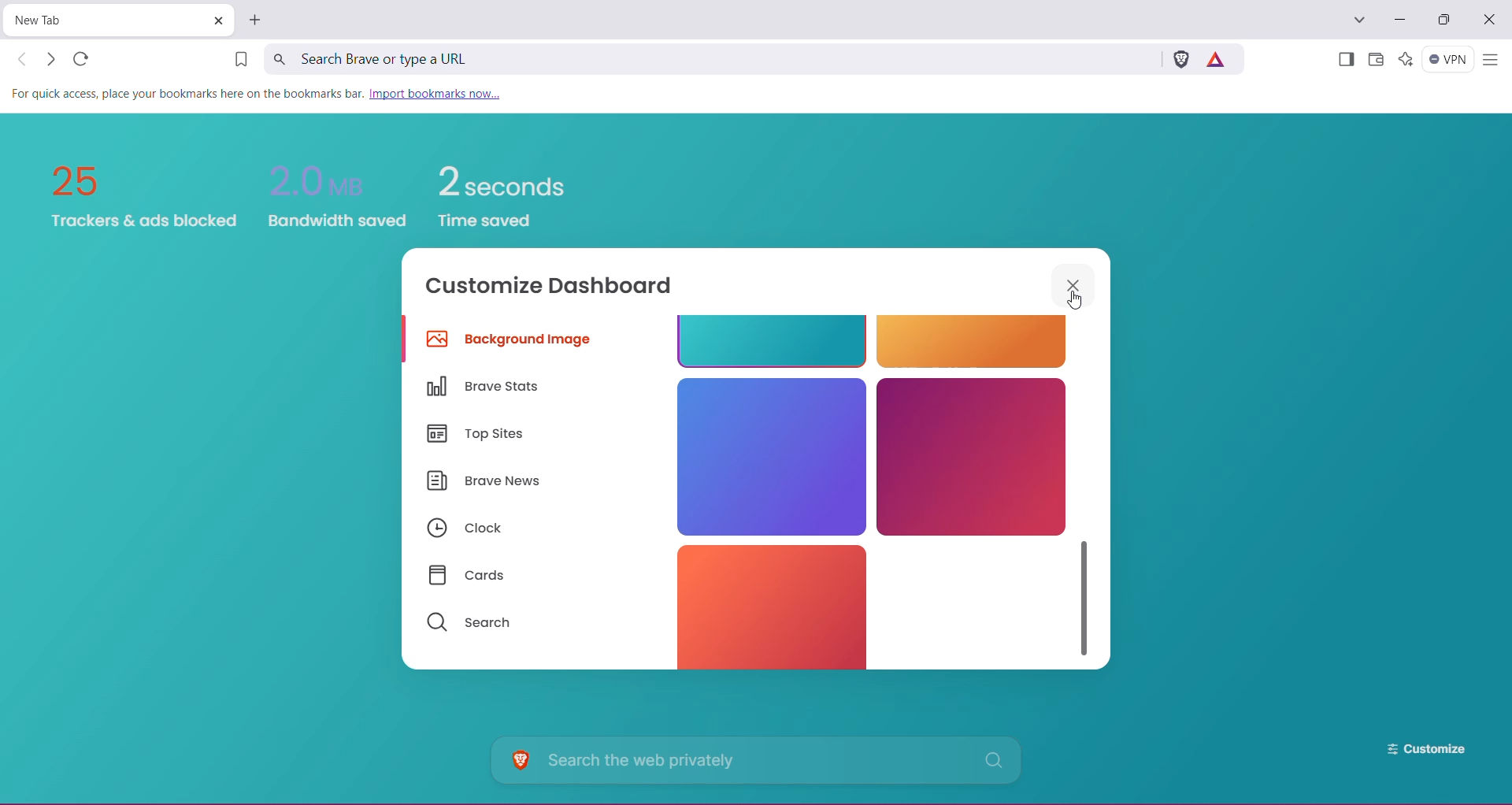 Image resolution: width=1512 pixels, height=805 pixels. I want to click on Click to go forward, hold to see history, so click(50, 59).